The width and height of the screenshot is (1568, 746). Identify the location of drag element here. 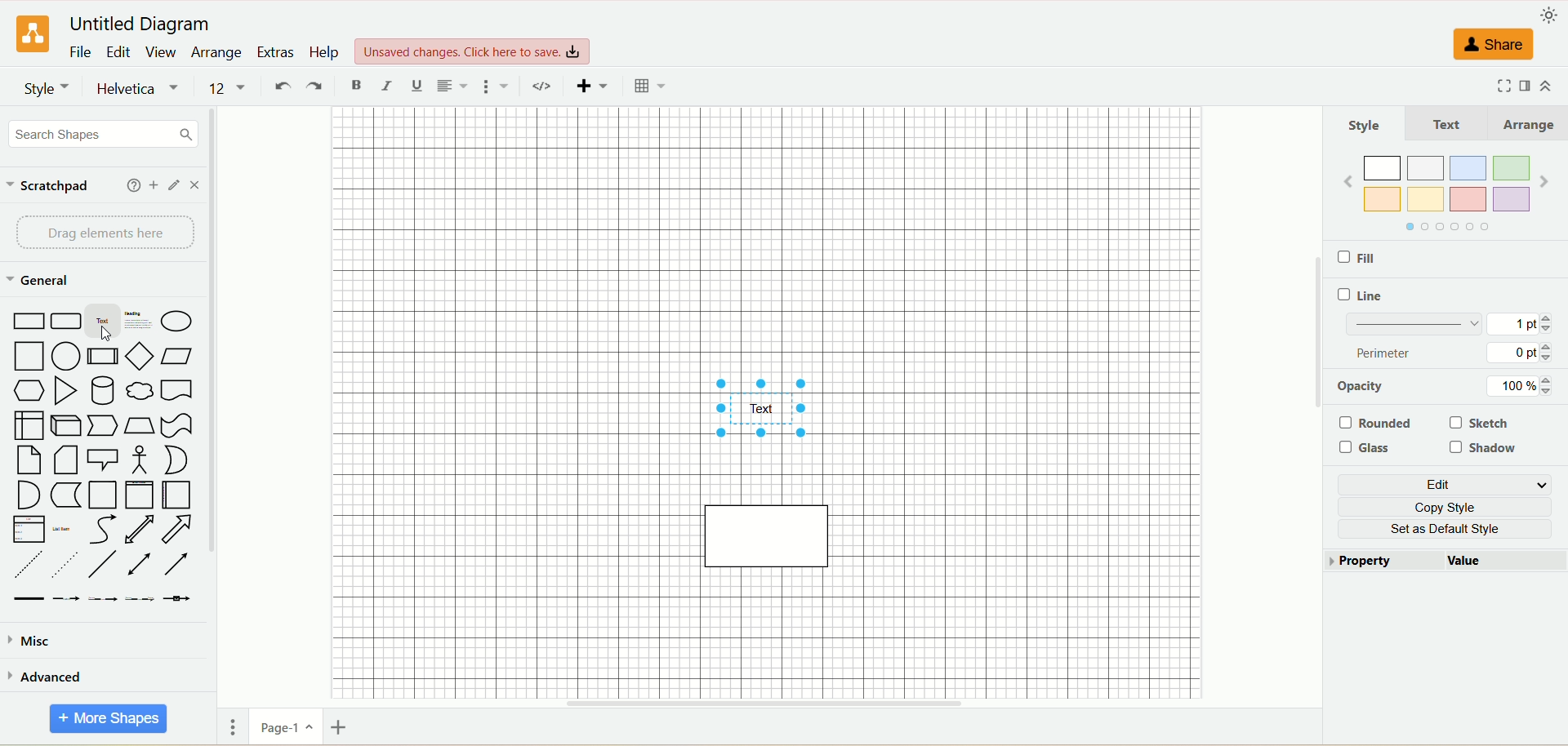
(104, 231).